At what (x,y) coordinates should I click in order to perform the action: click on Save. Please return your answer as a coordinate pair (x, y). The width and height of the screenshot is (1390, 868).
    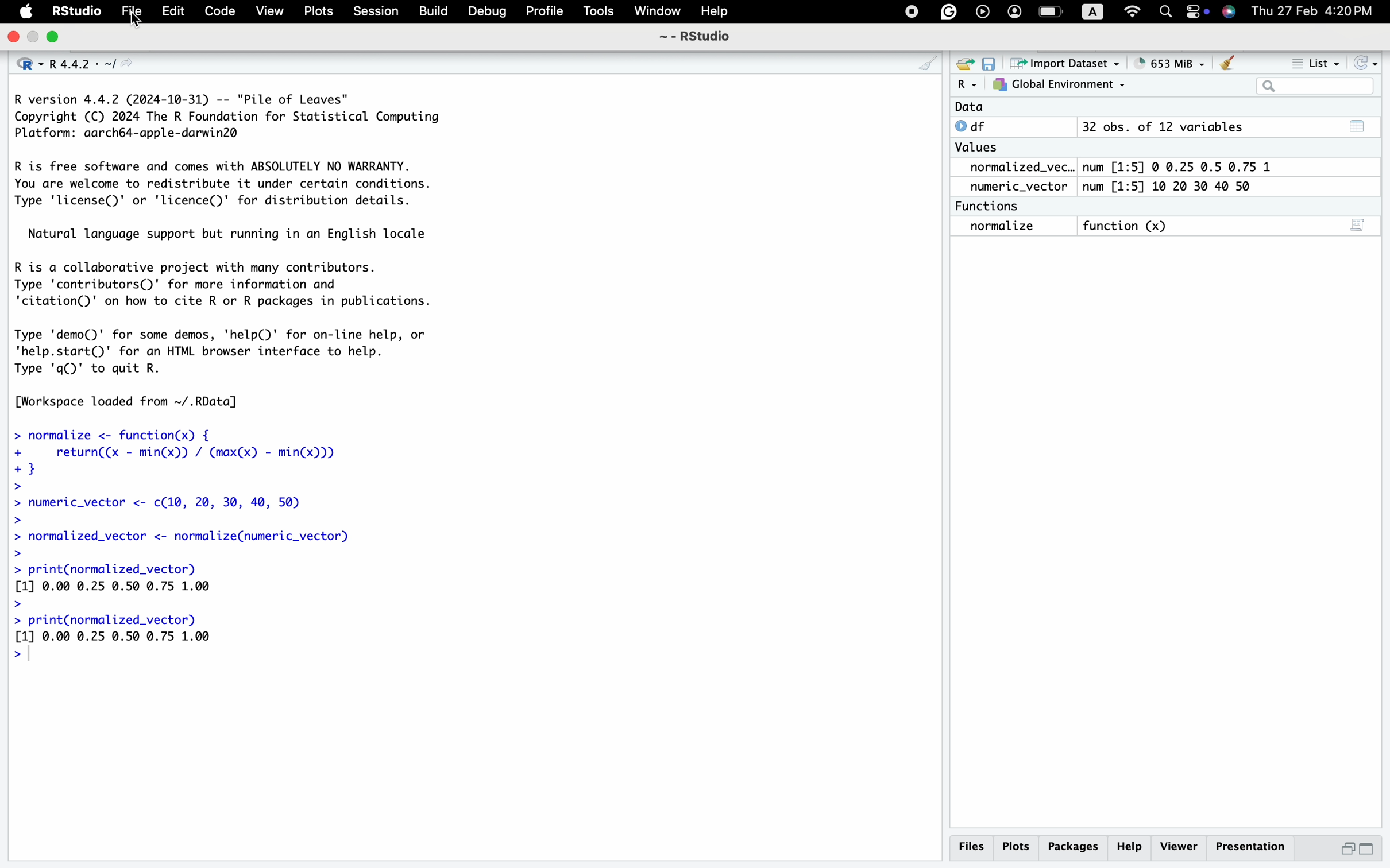
    Looking at the image, I should click on (990, 63).